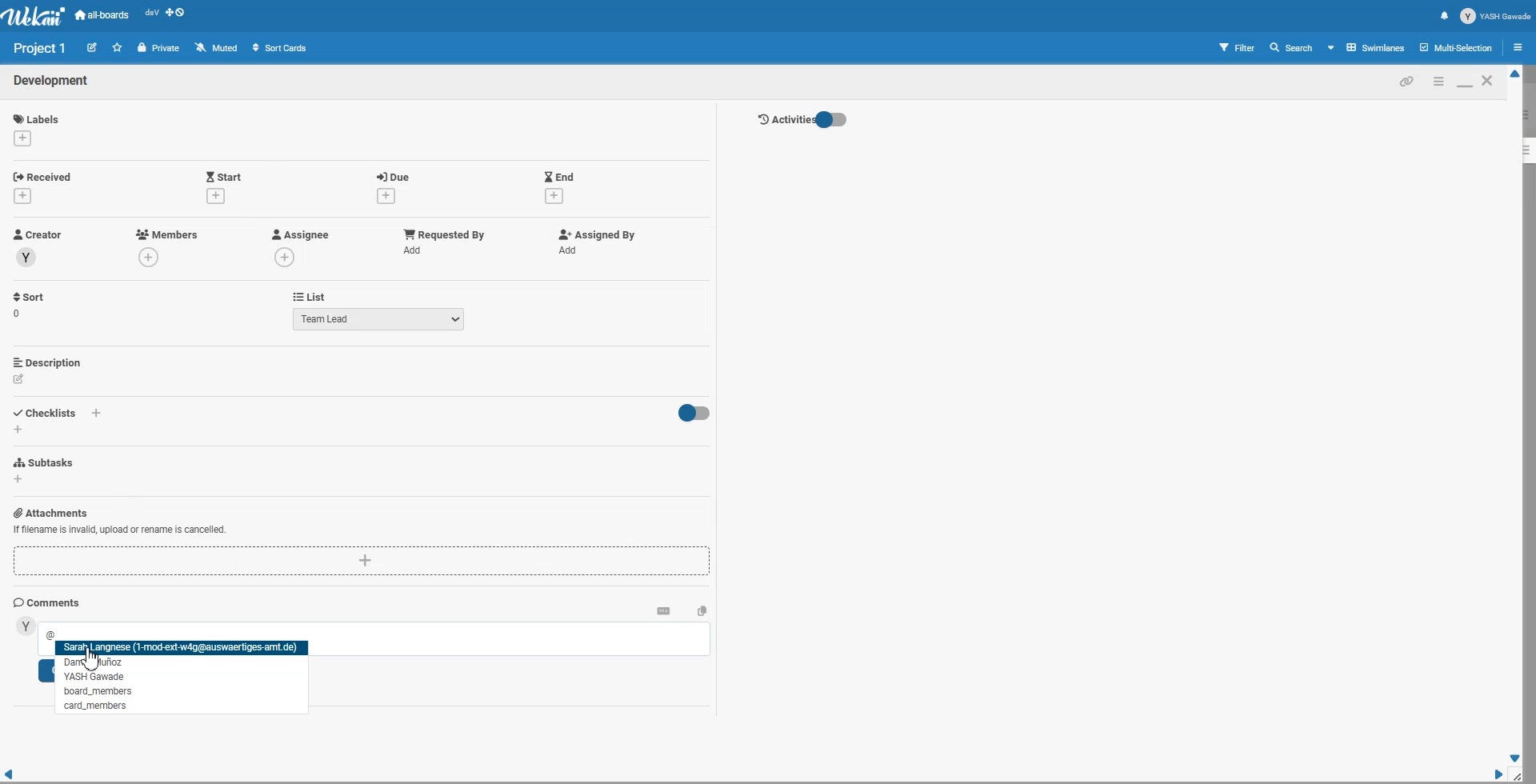 The width and height of the screenshot is (1536, 784). I want to click on Filter, so click(1238, 47).